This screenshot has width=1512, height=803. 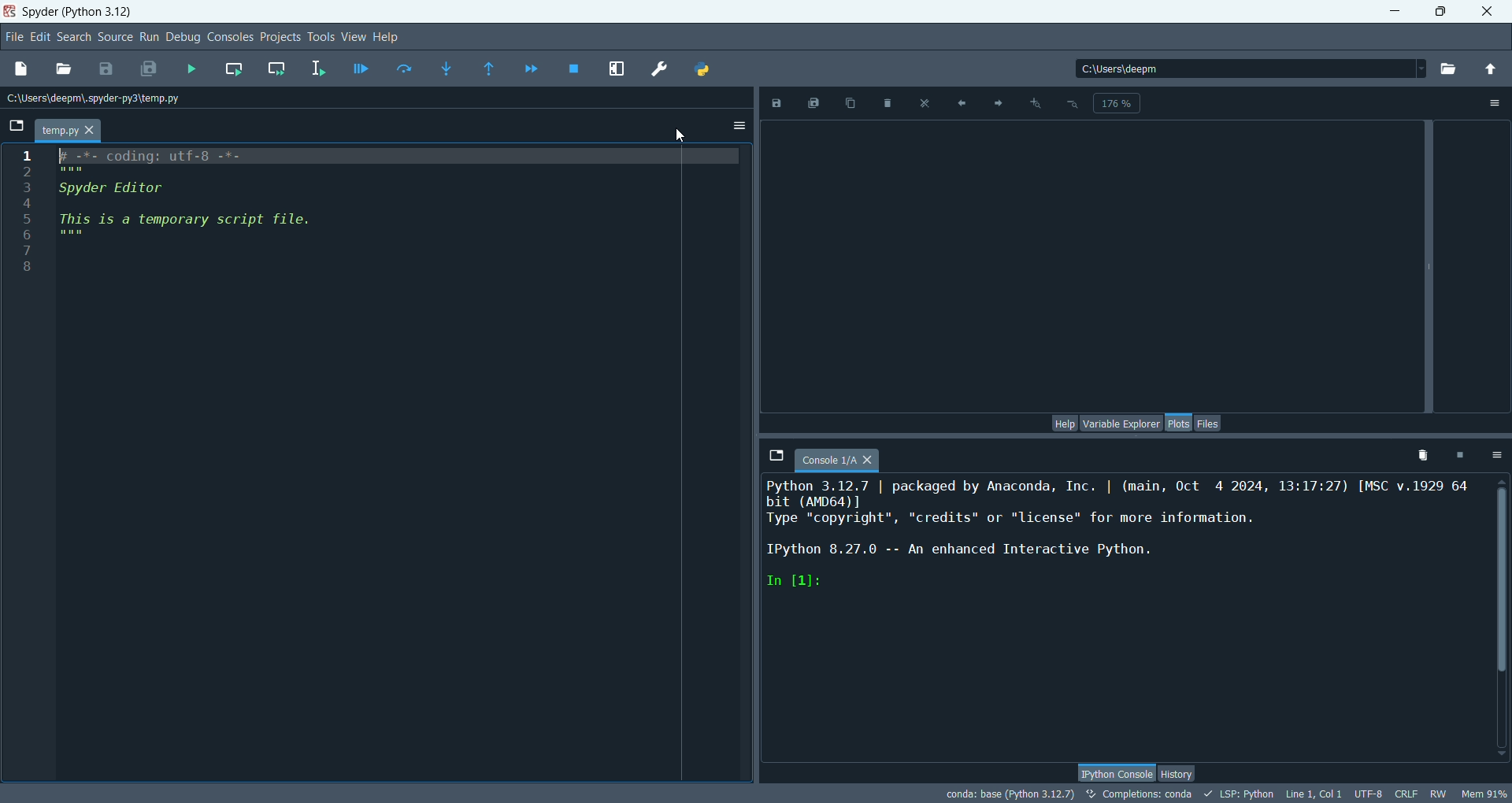 What do you see at coordinates (1034, 105) in the screenshot?
I see `zoom in` at bounding box center [1034, 105].